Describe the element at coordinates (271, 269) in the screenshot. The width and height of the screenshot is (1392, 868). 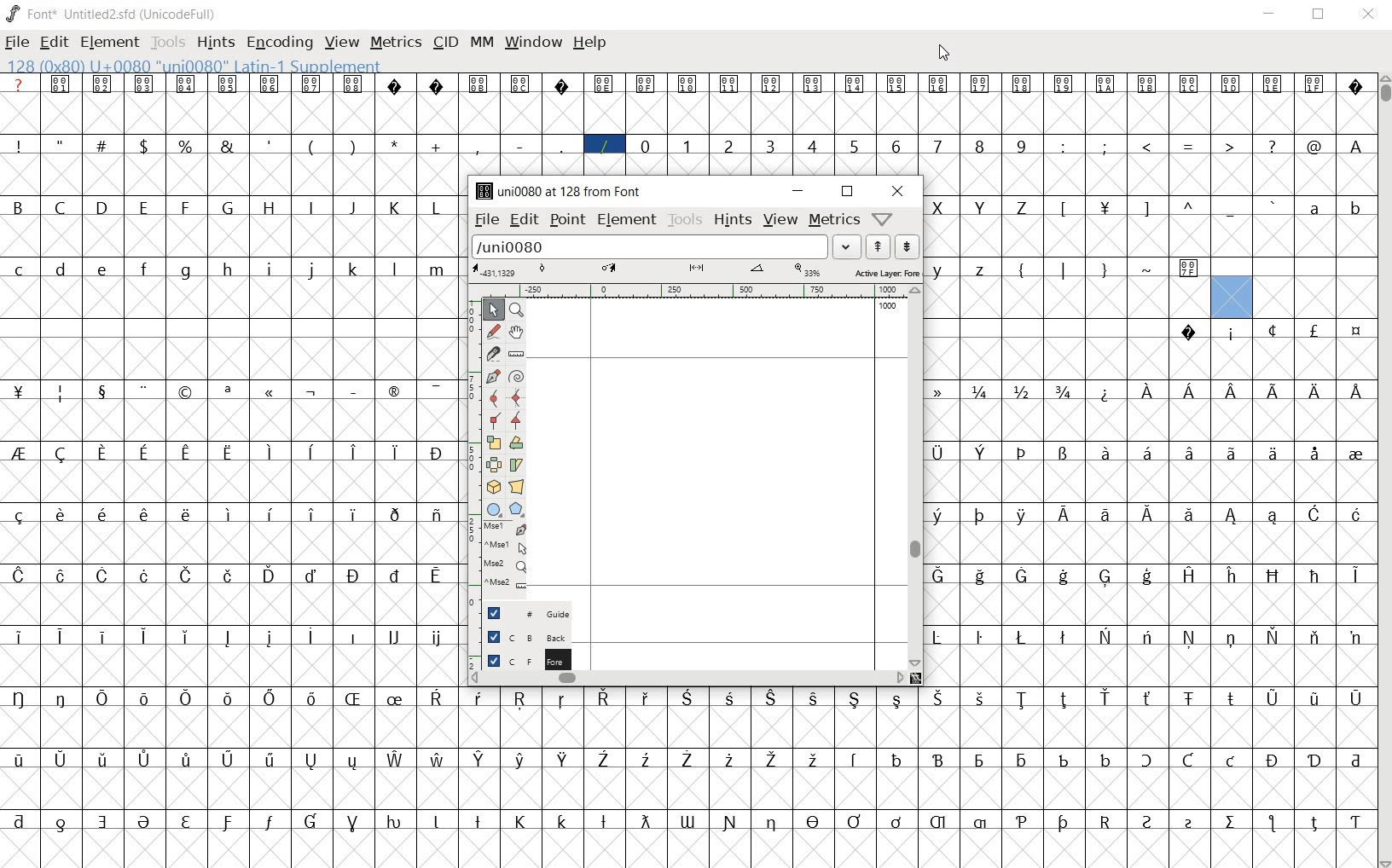
I see `glyph` at that location.